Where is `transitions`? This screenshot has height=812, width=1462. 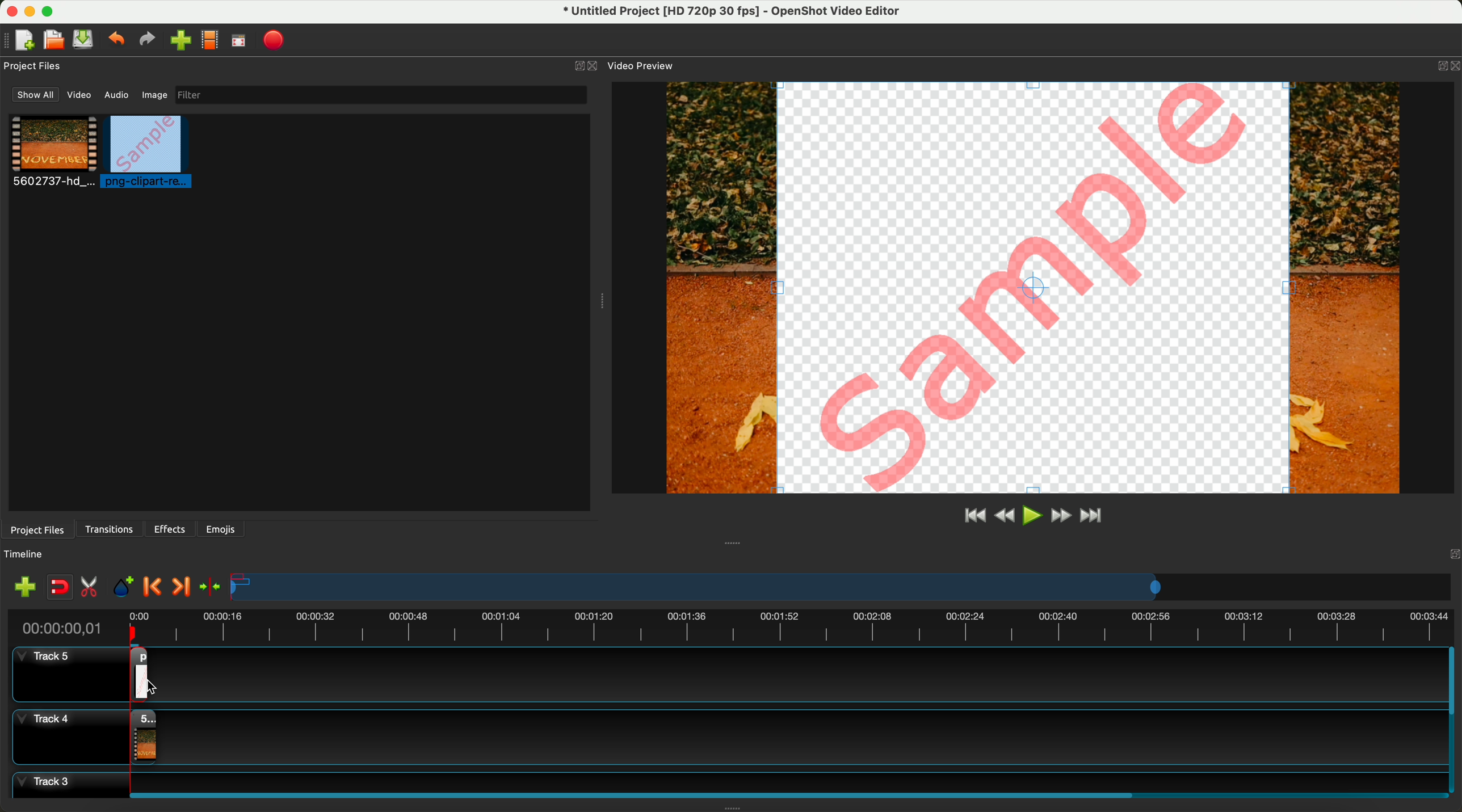
transitions is located at coordinates (111, 529).